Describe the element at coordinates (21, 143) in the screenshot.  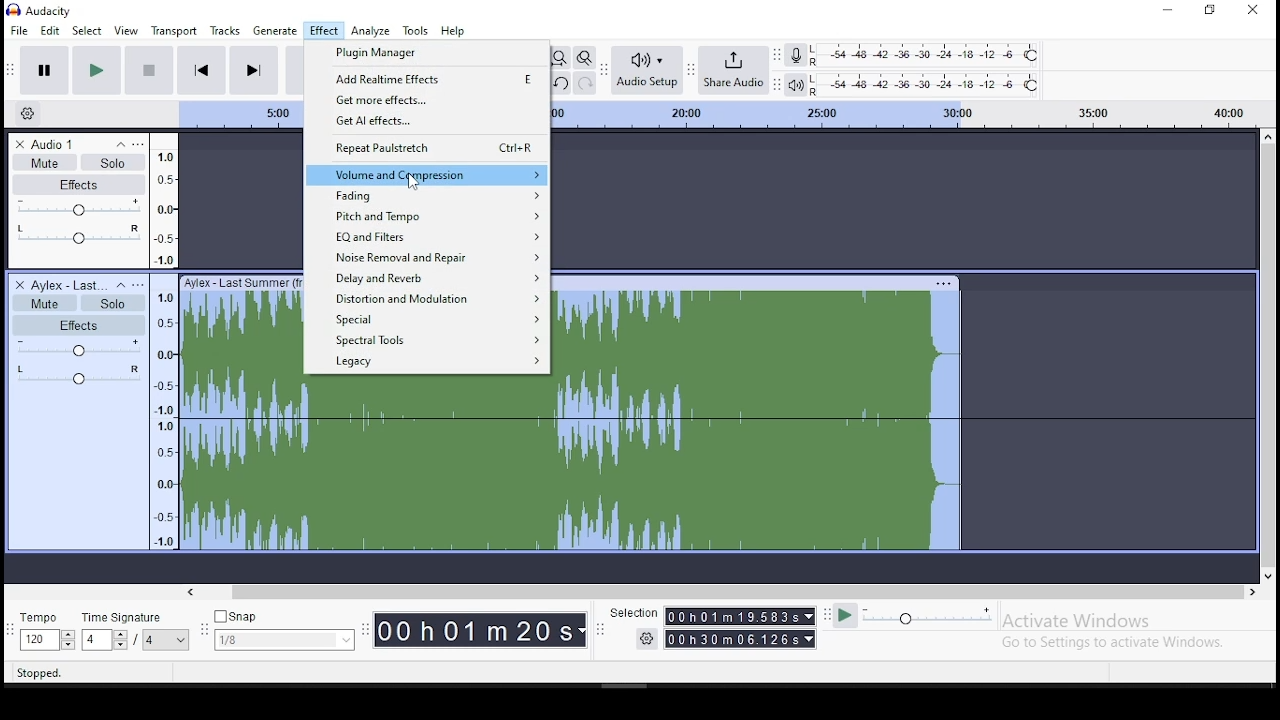
I see `delete track` at that location.